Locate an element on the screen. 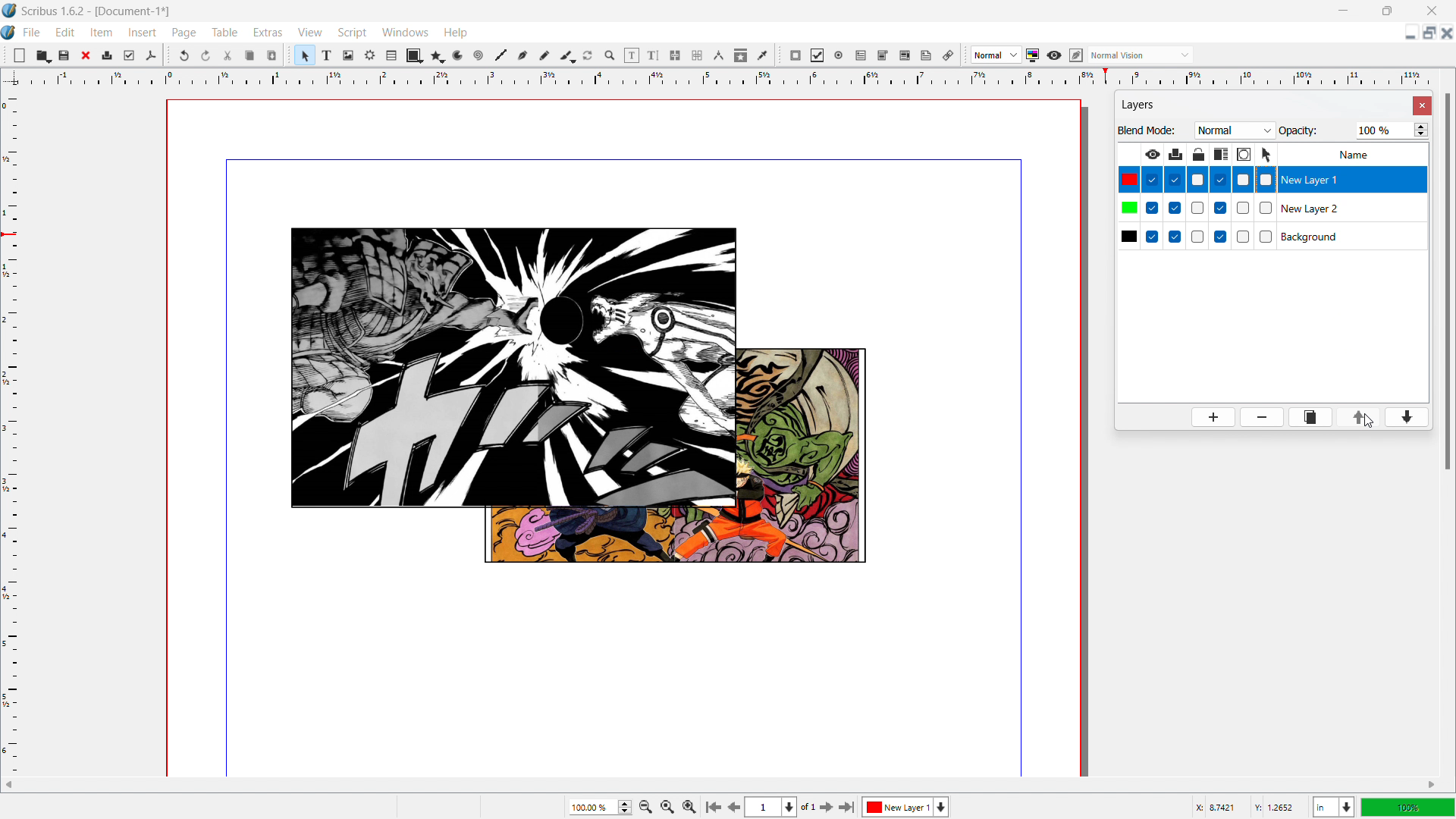  save as pdf is located at coordinates (150, 55).